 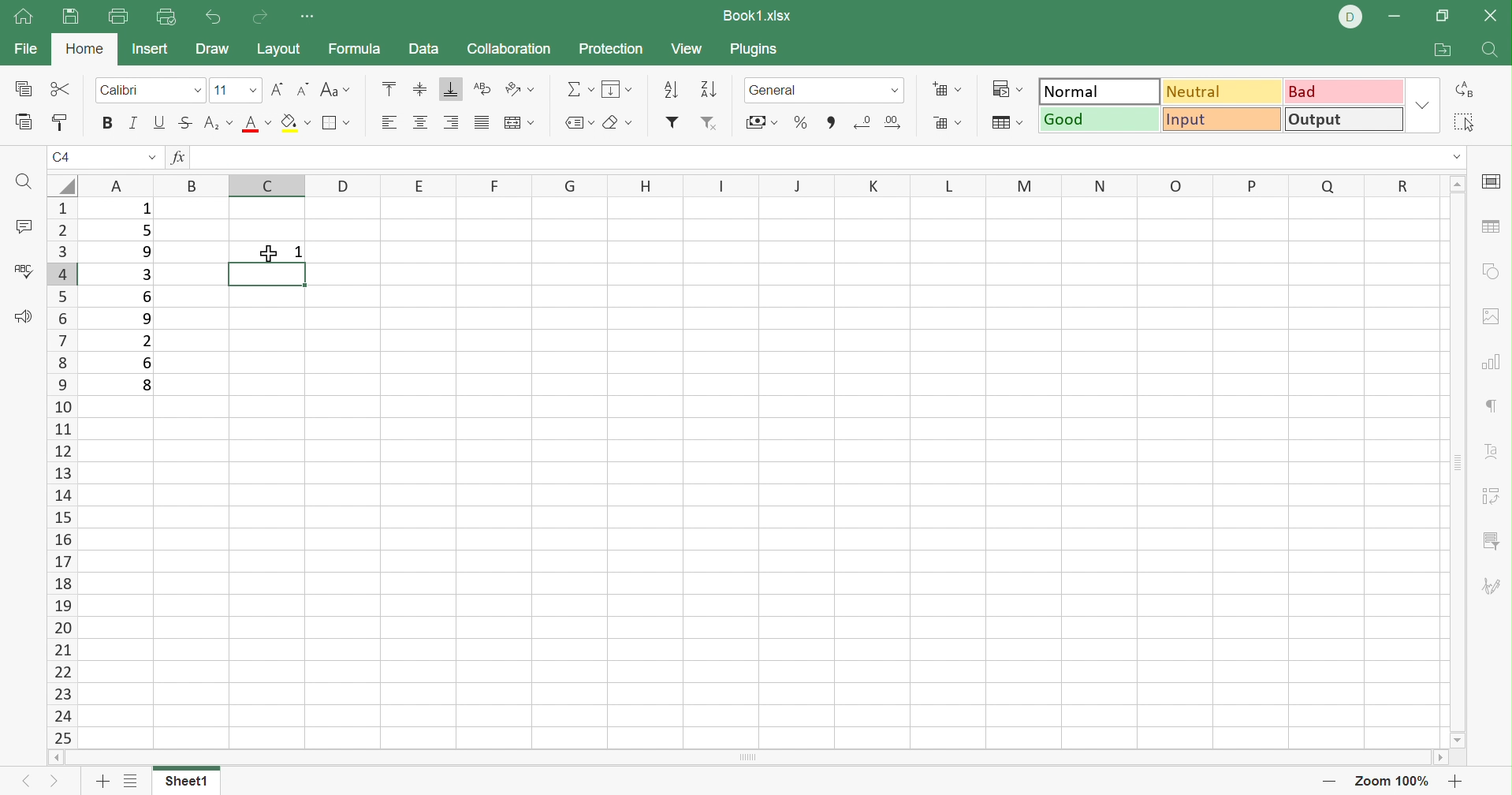 What do you see at coordinates (147, 386) in the screenshot?
I see `8` at bounding box center [147, 386].